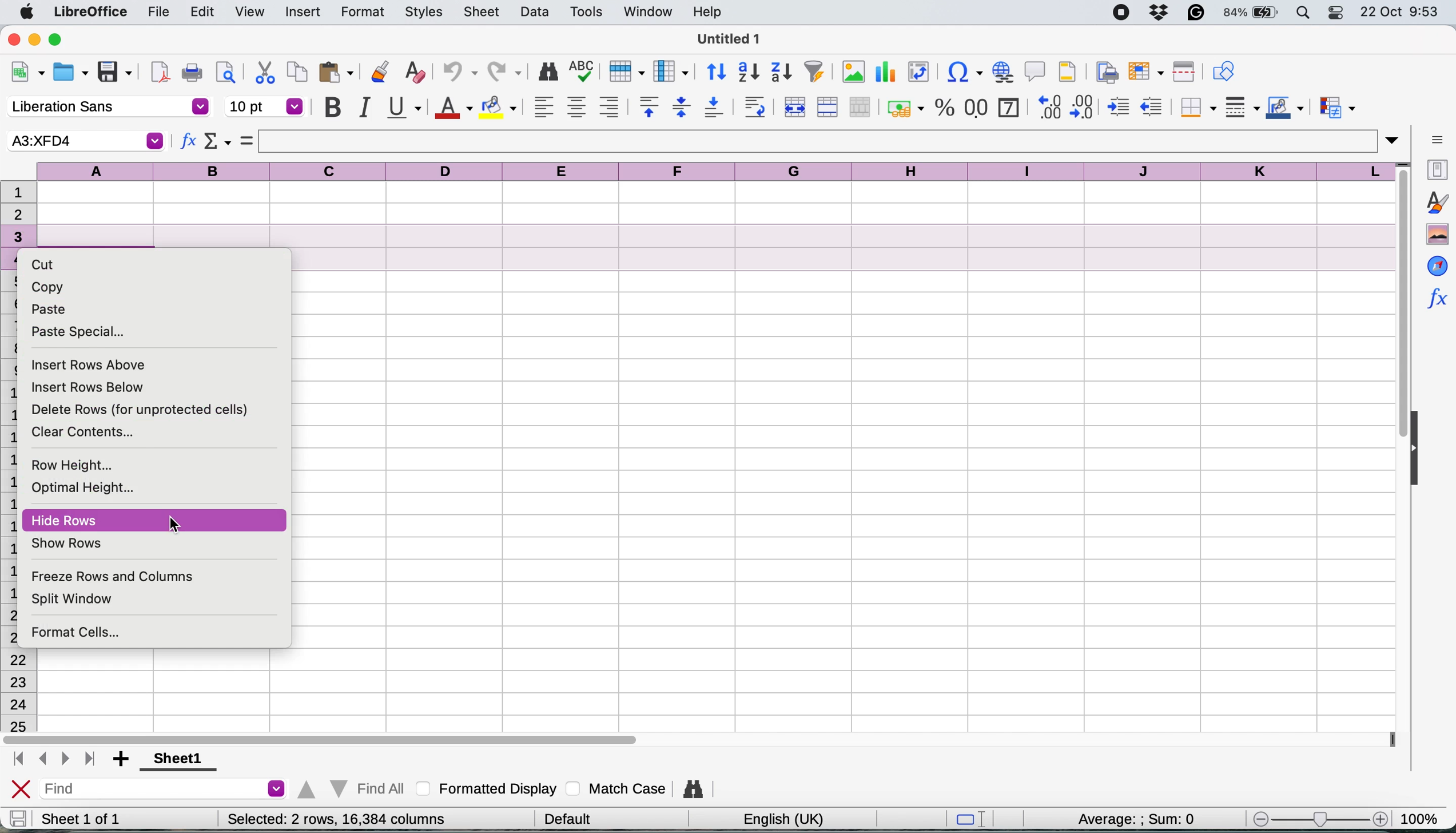  Describe the element at coordinates (1316, 820) in the screenshot. I see `zoom scale` at that location.